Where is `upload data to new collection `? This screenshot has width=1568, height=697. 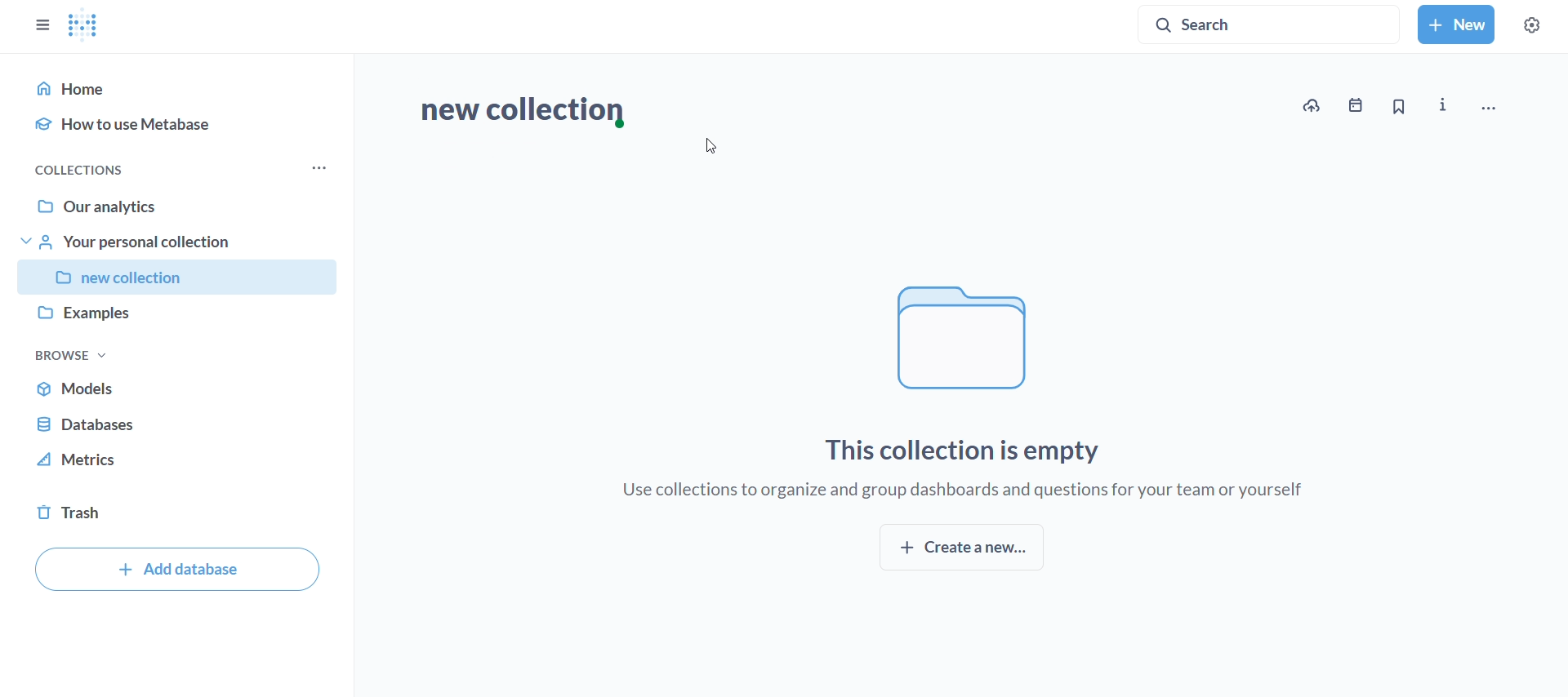
upload data to new collection  is located at coordinates (1311, 106).